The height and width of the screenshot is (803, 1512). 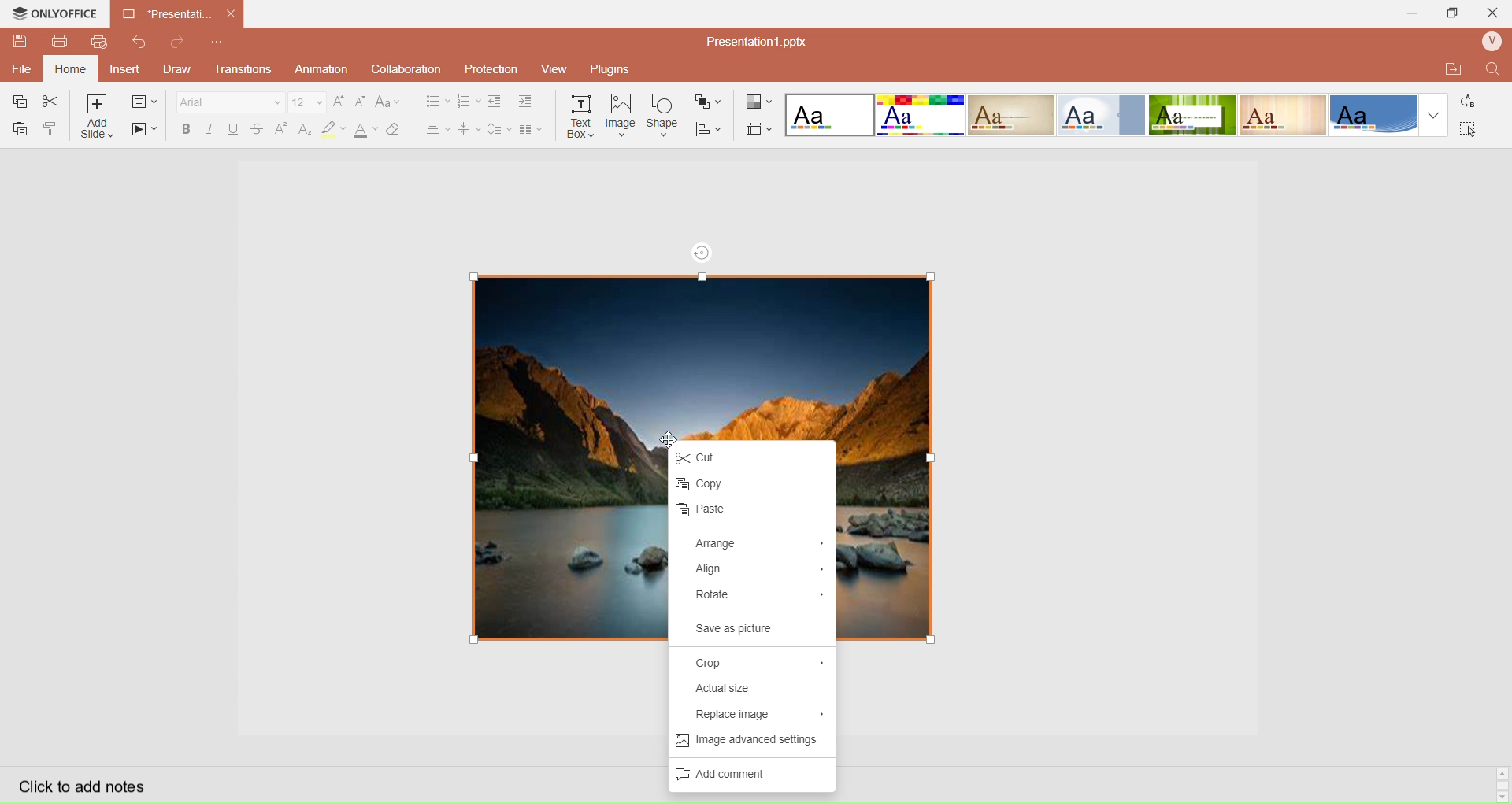 What do you see at coordinates (759, 714) in the screenshot?
I see `Replace Image` at bounding box center [759, 714].